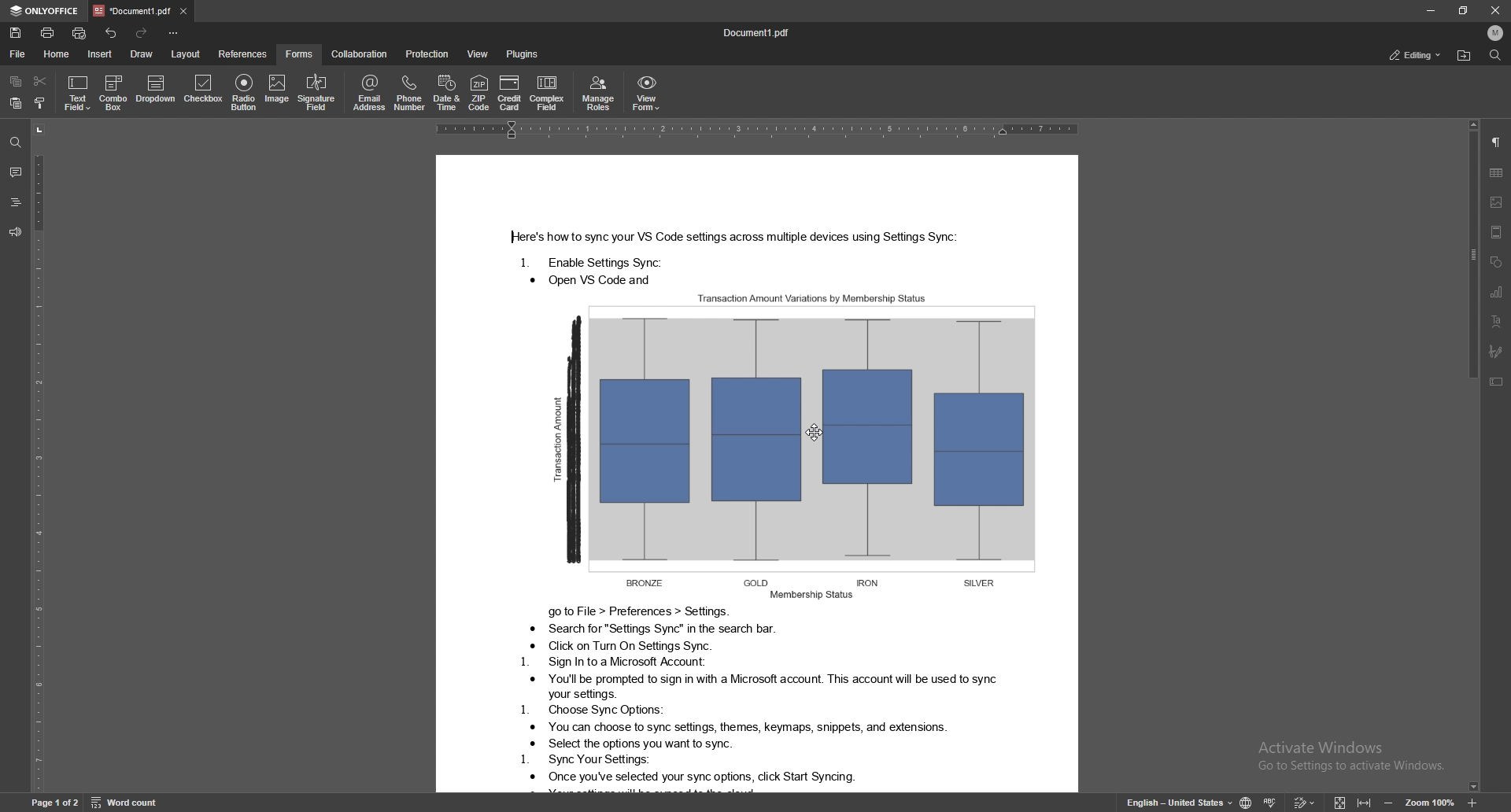 The image size is (1511, 812). I want to click on zoom out, so click(1389, 803).